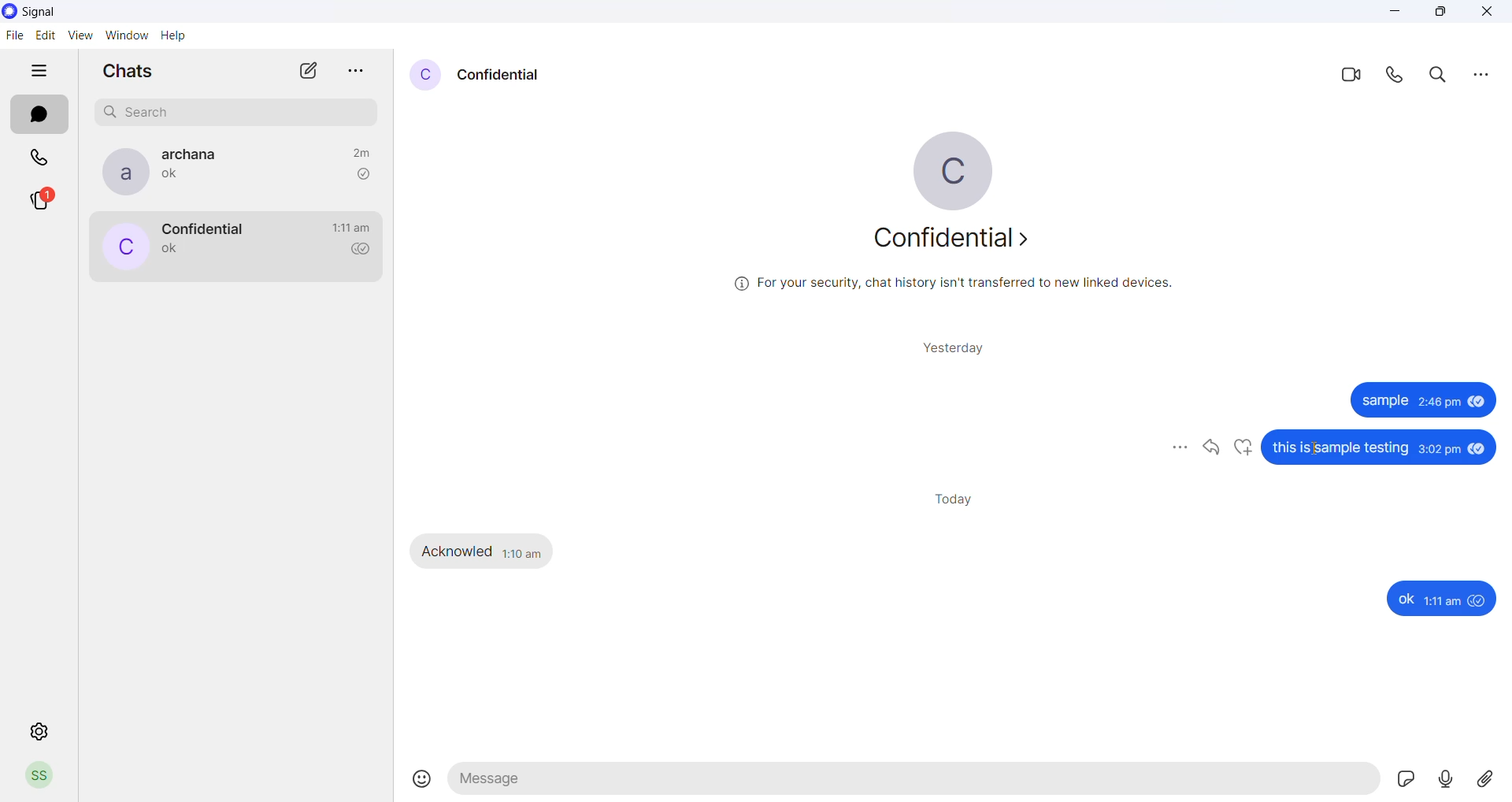 The height and width of the screenshot is (802, 1512). Describe the element at coordinates (361, 150) in the screenshot. I see `time passed since last message` at that location.